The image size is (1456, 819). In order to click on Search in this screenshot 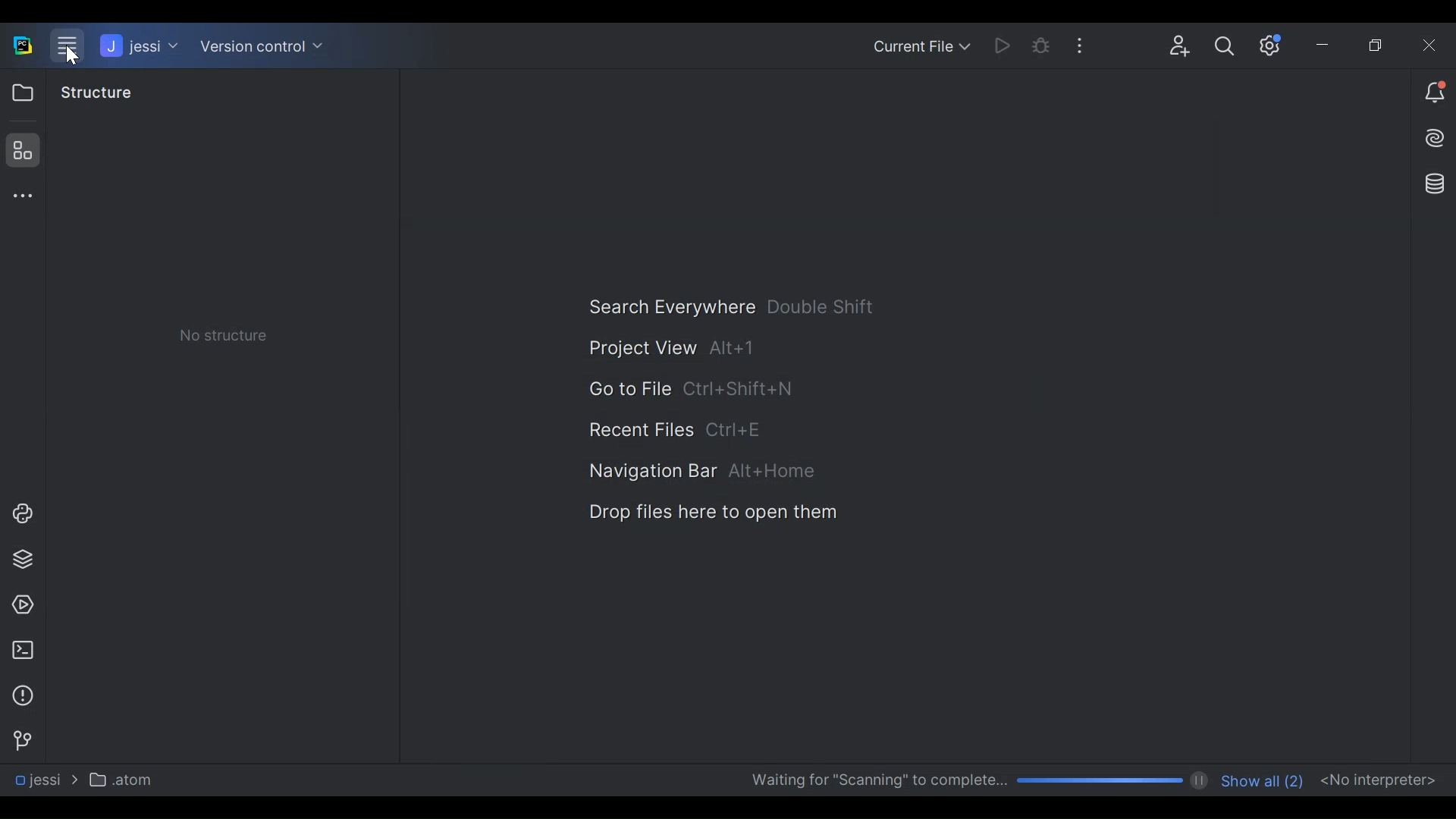, I will do `click(1227, 49)`.